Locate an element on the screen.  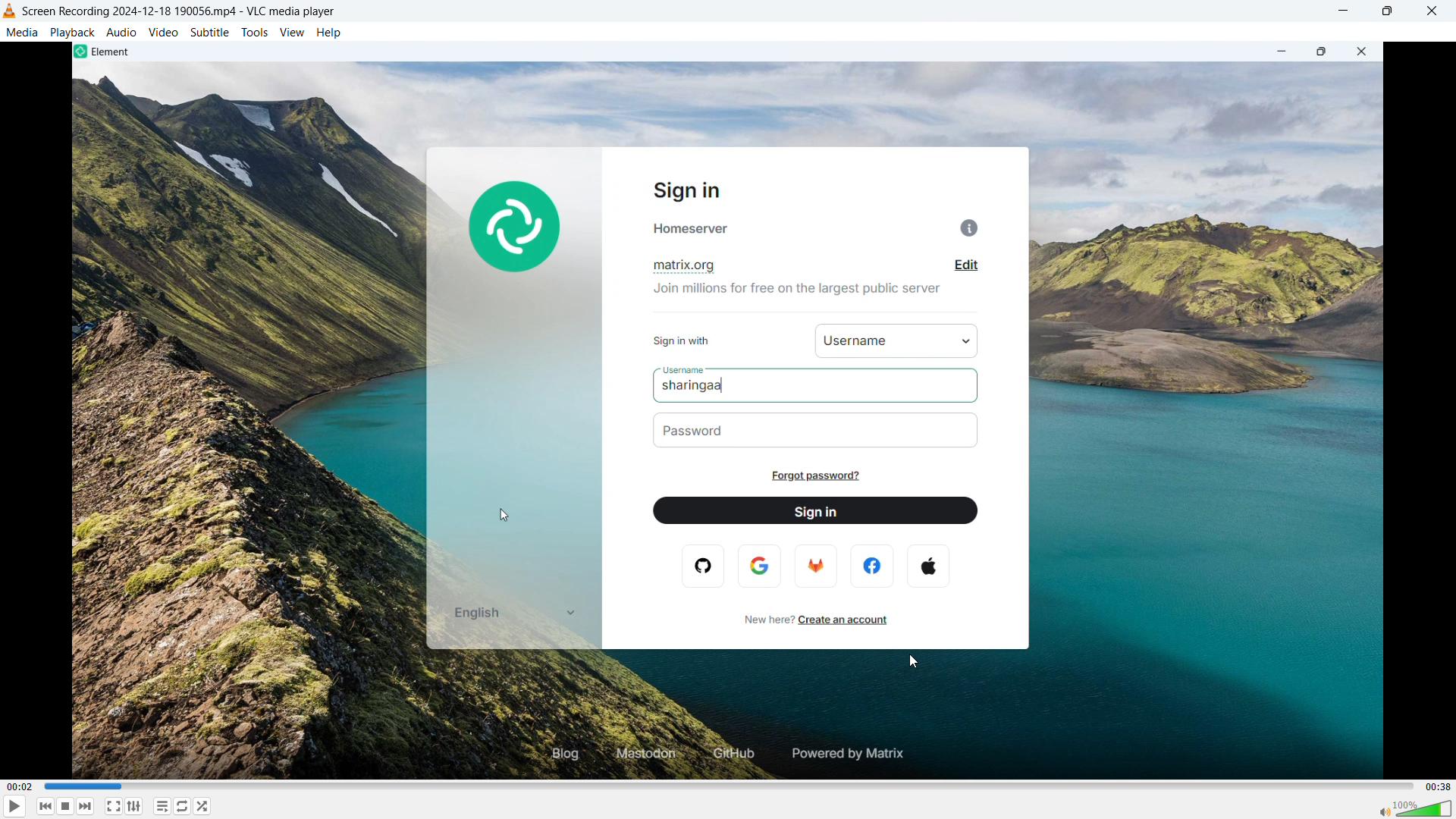
Toggle between loop all, loop one & no loop  is located at coordinates (183, 805).